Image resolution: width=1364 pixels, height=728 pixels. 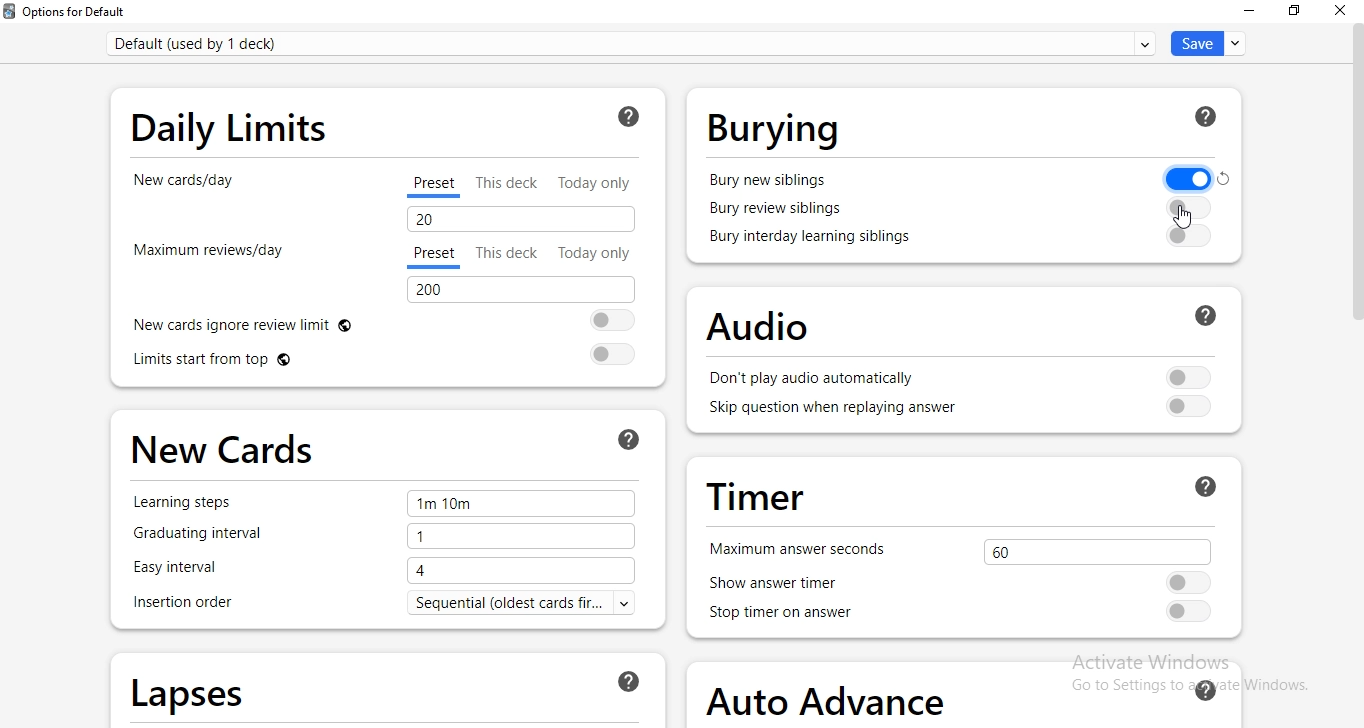 What do you see at coordinates (235, 126) in the screenshot?
I see `daily limits` at bounding box center [235, 126].